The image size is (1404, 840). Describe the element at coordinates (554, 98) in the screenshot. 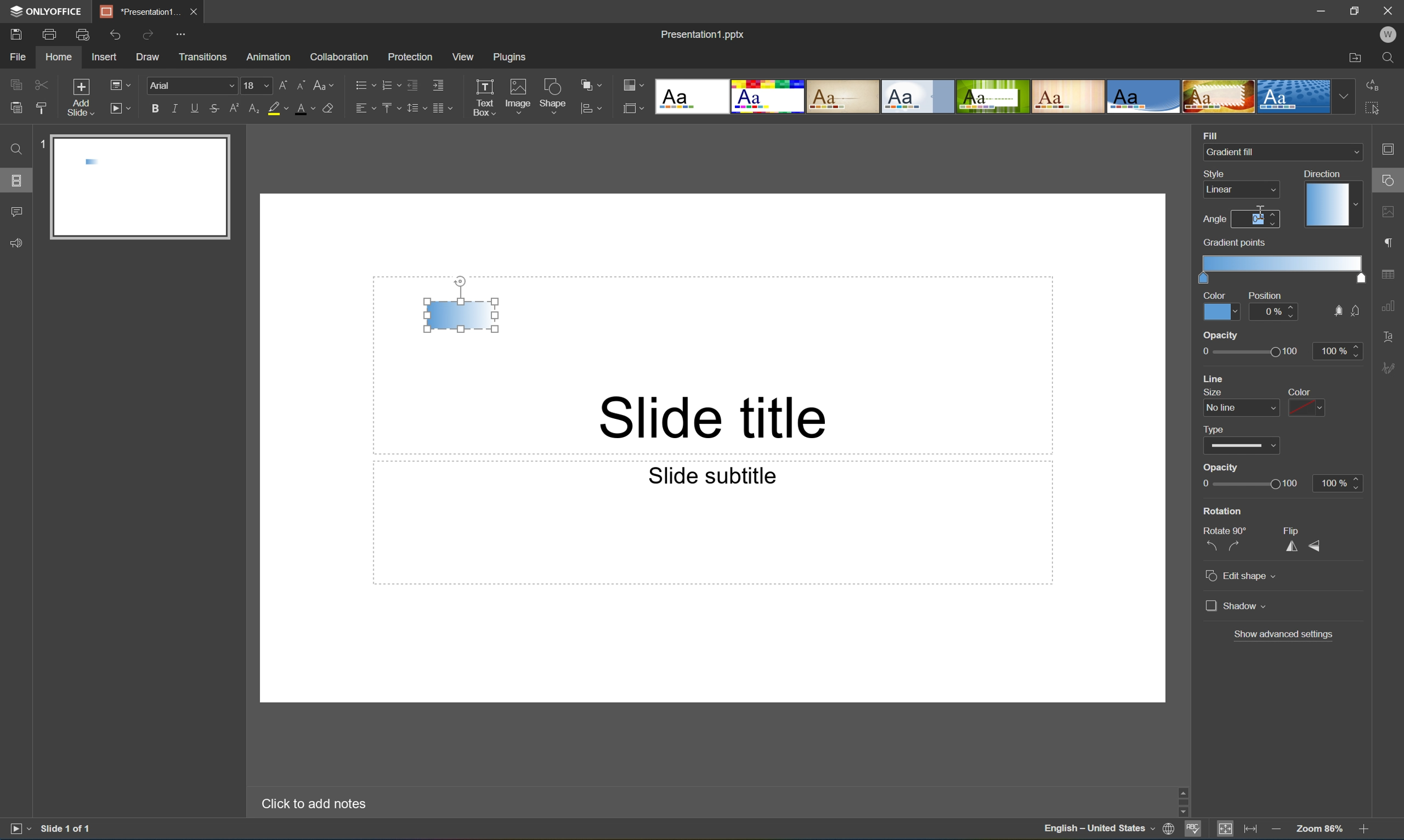

I see `Shape` at that location.